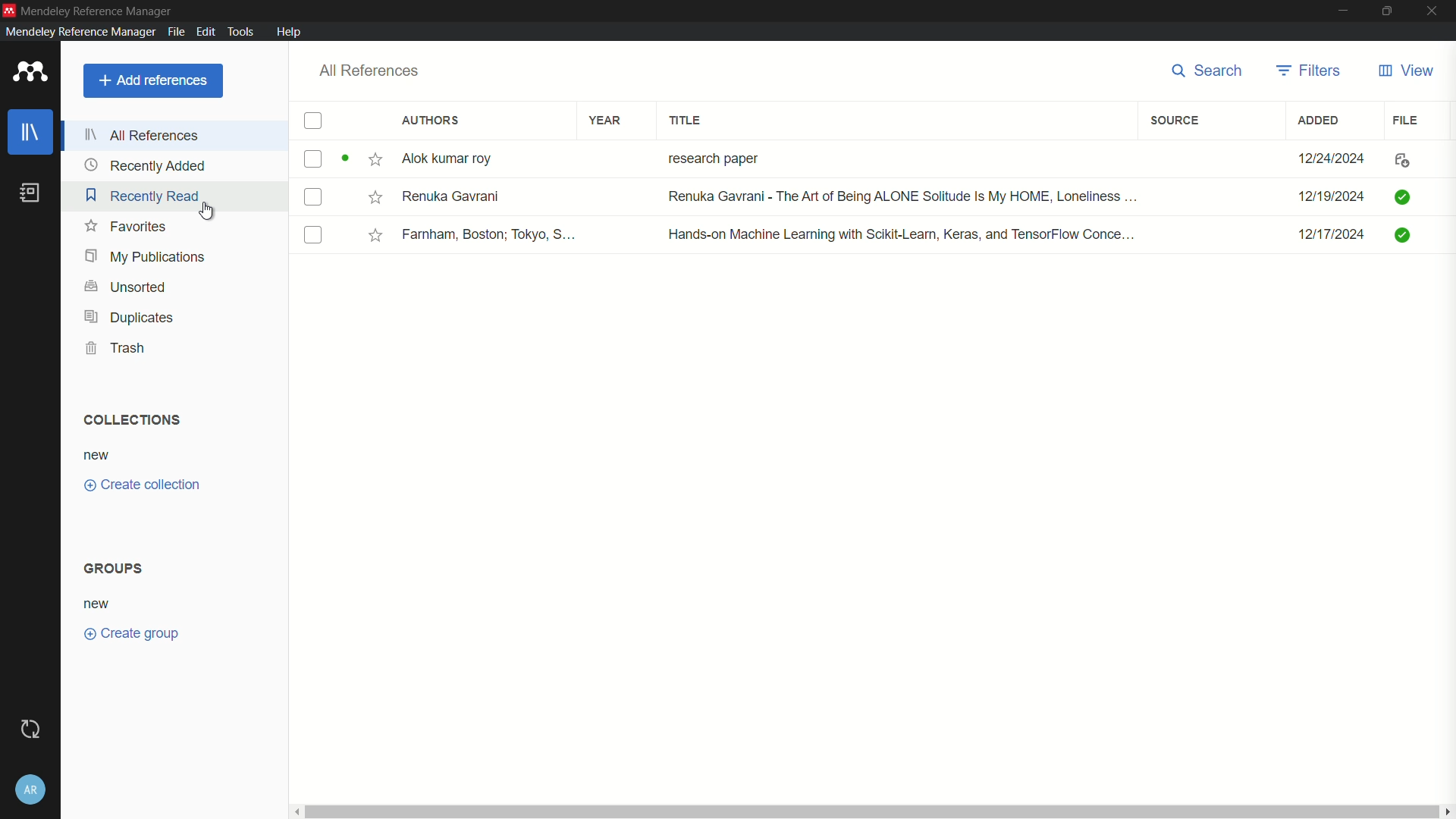  I want to click on my publications, so click(146, 256).